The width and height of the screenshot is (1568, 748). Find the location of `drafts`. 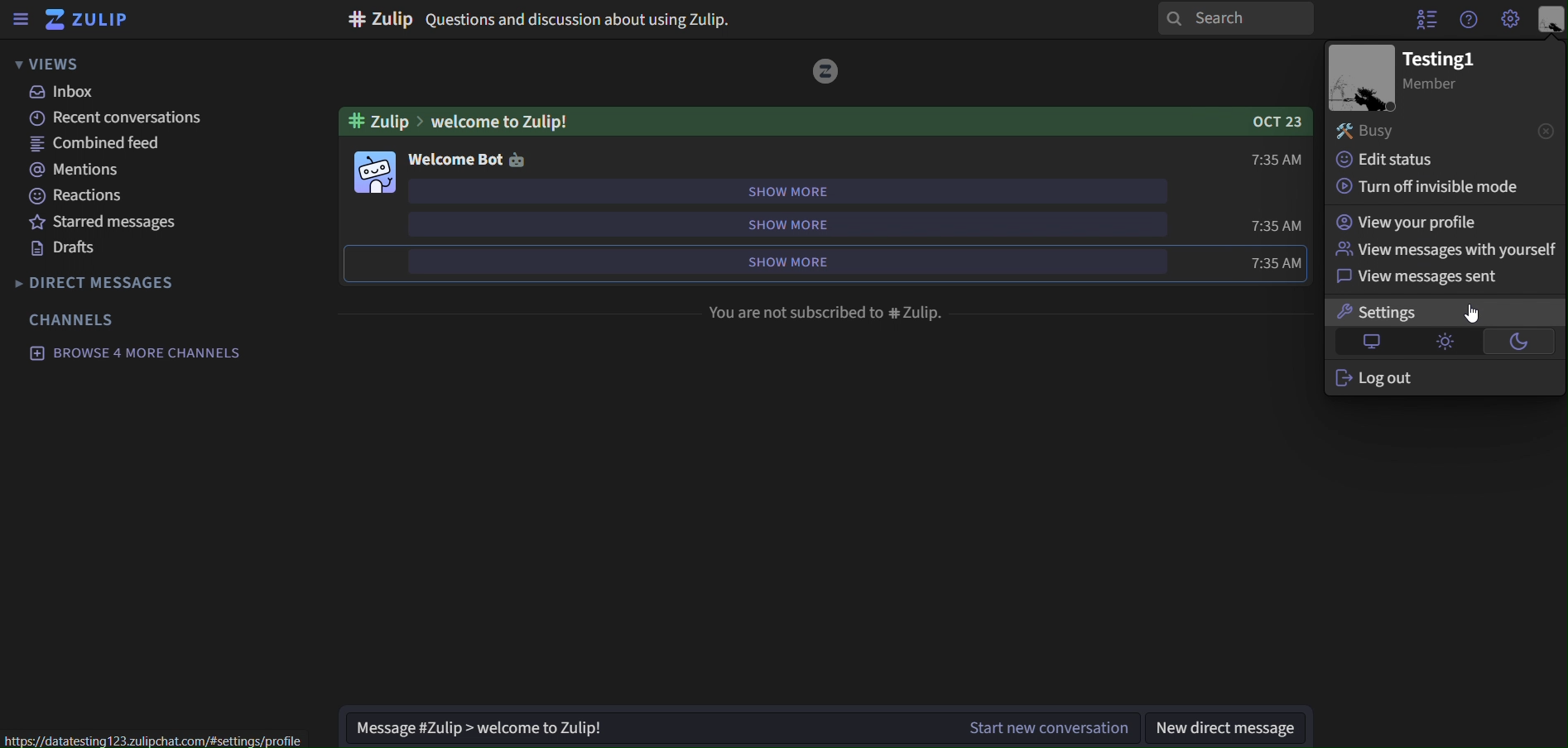

drafts is located at coordinates (68, 251).